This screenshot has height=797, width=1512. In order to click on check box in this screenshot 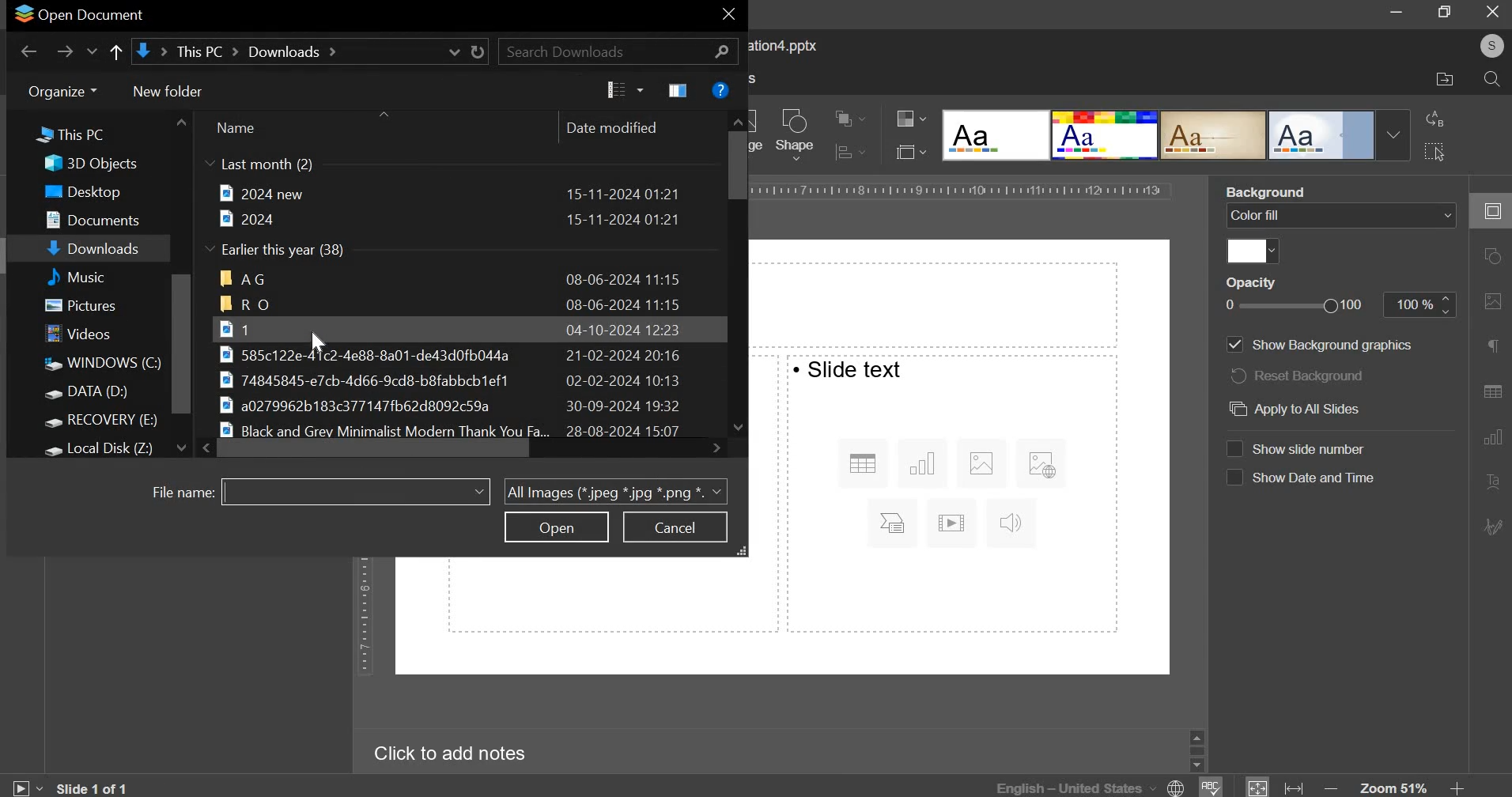, I will do `click(1233, 448)`.